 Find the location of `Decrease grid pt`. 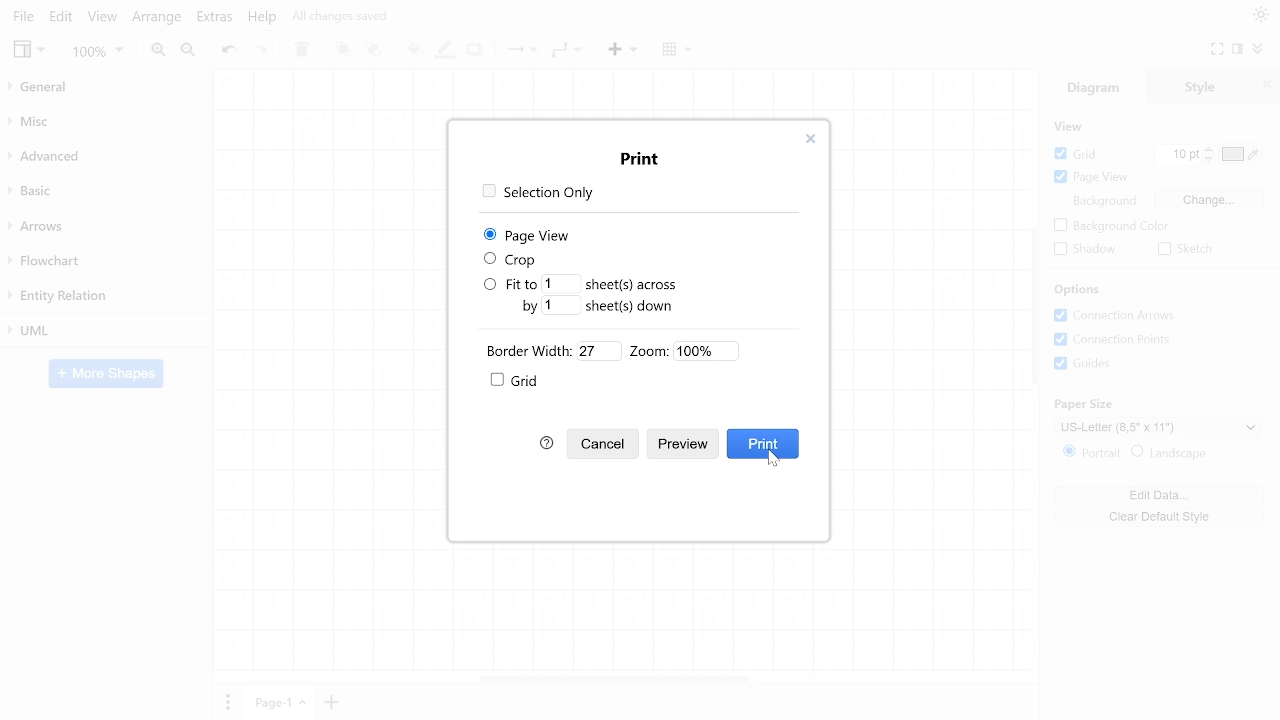

Decrease grid pt is located at coordinates (1210, 159).